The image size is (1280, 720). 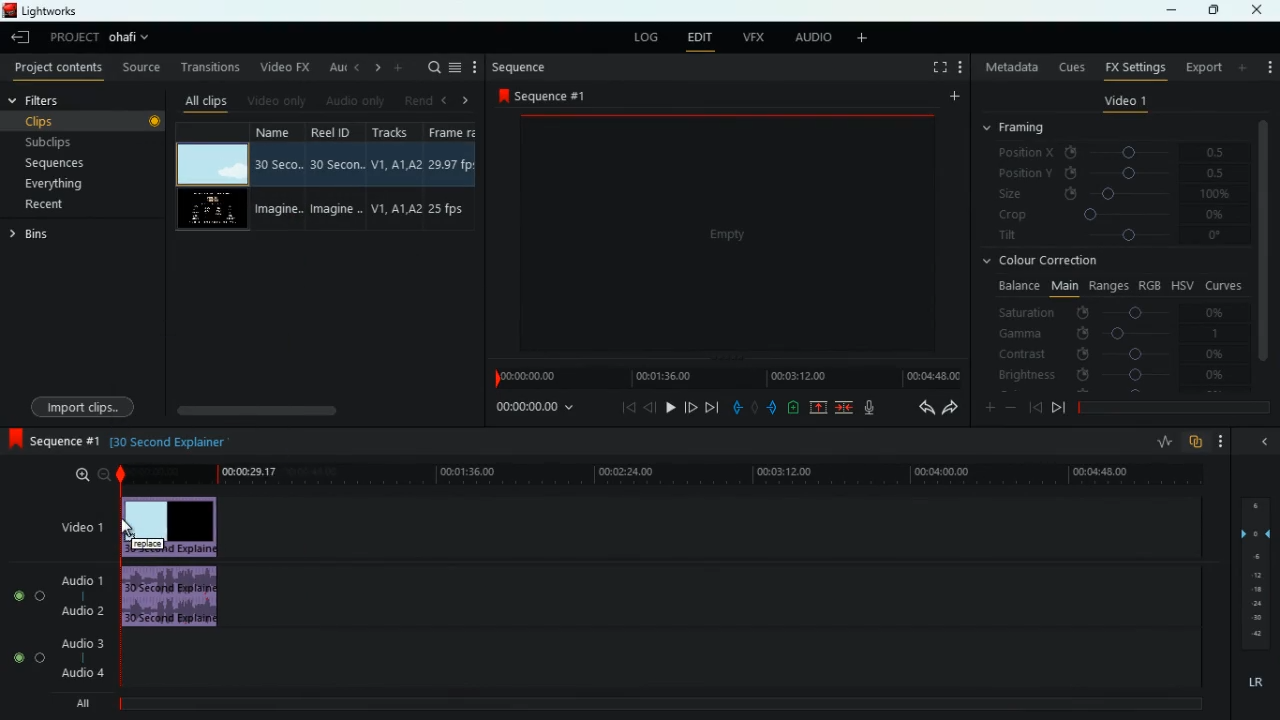 I want to click on crop, so click(x=1109, y=215).